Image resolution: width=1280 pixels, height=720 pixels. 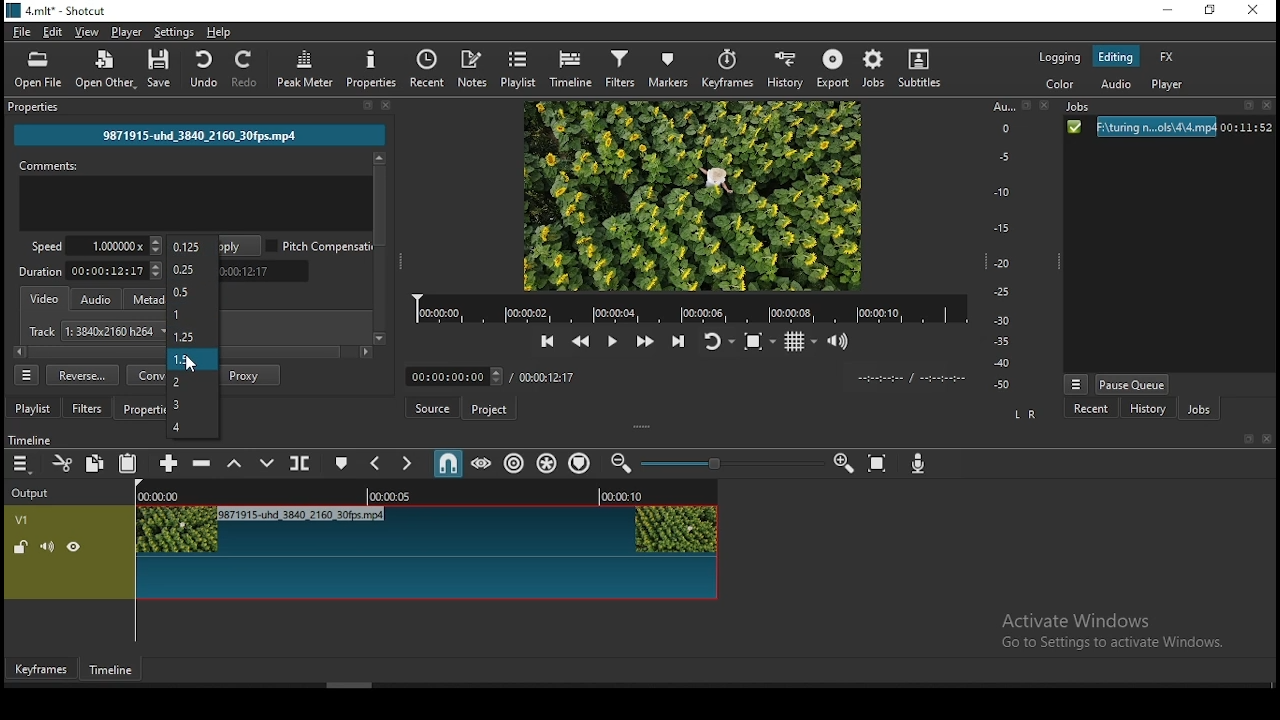 I want to click on File name, so click(x=199, y=133).